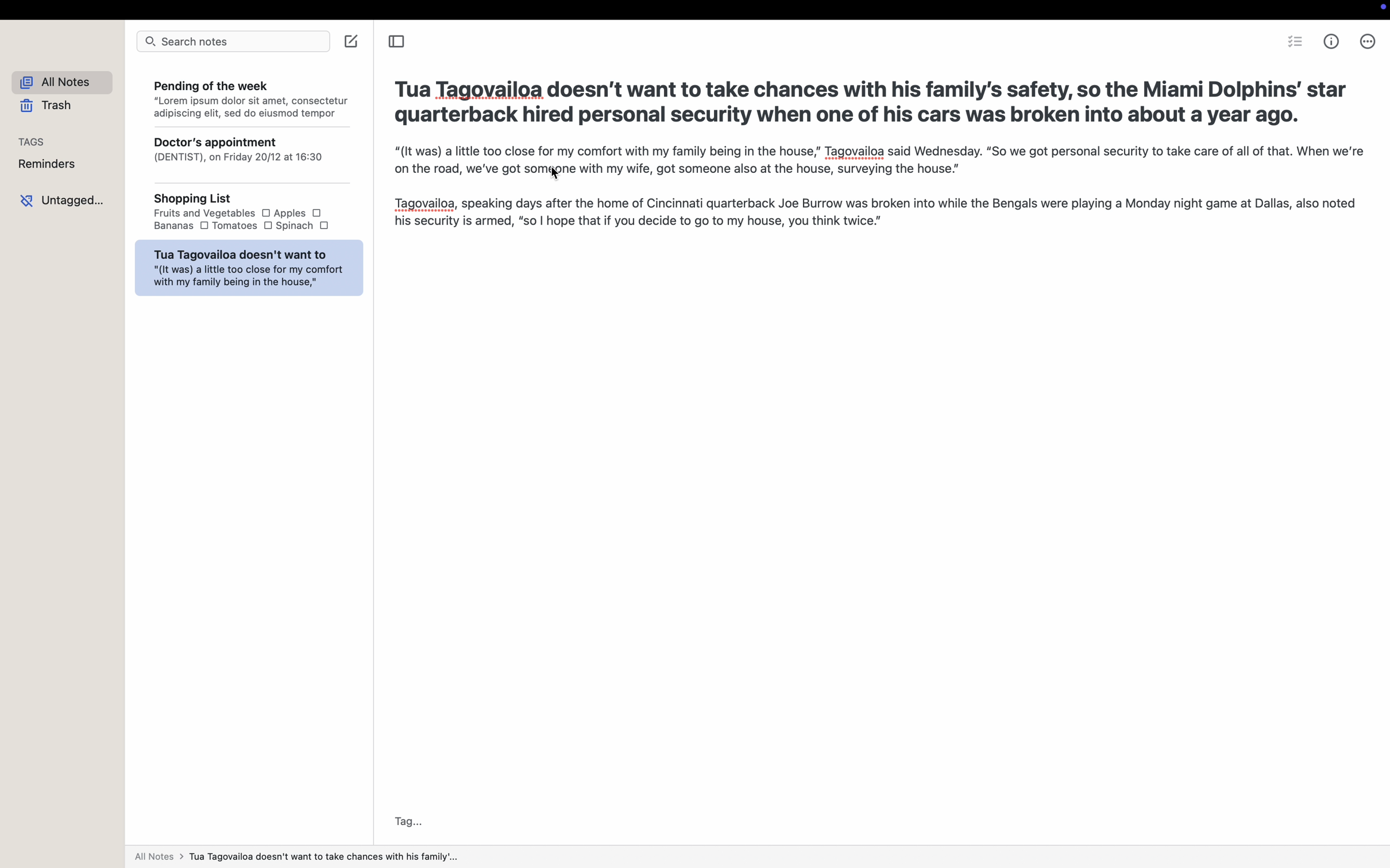 The image size is (1390, 868). I want to click on reminders, so click(48, 164).